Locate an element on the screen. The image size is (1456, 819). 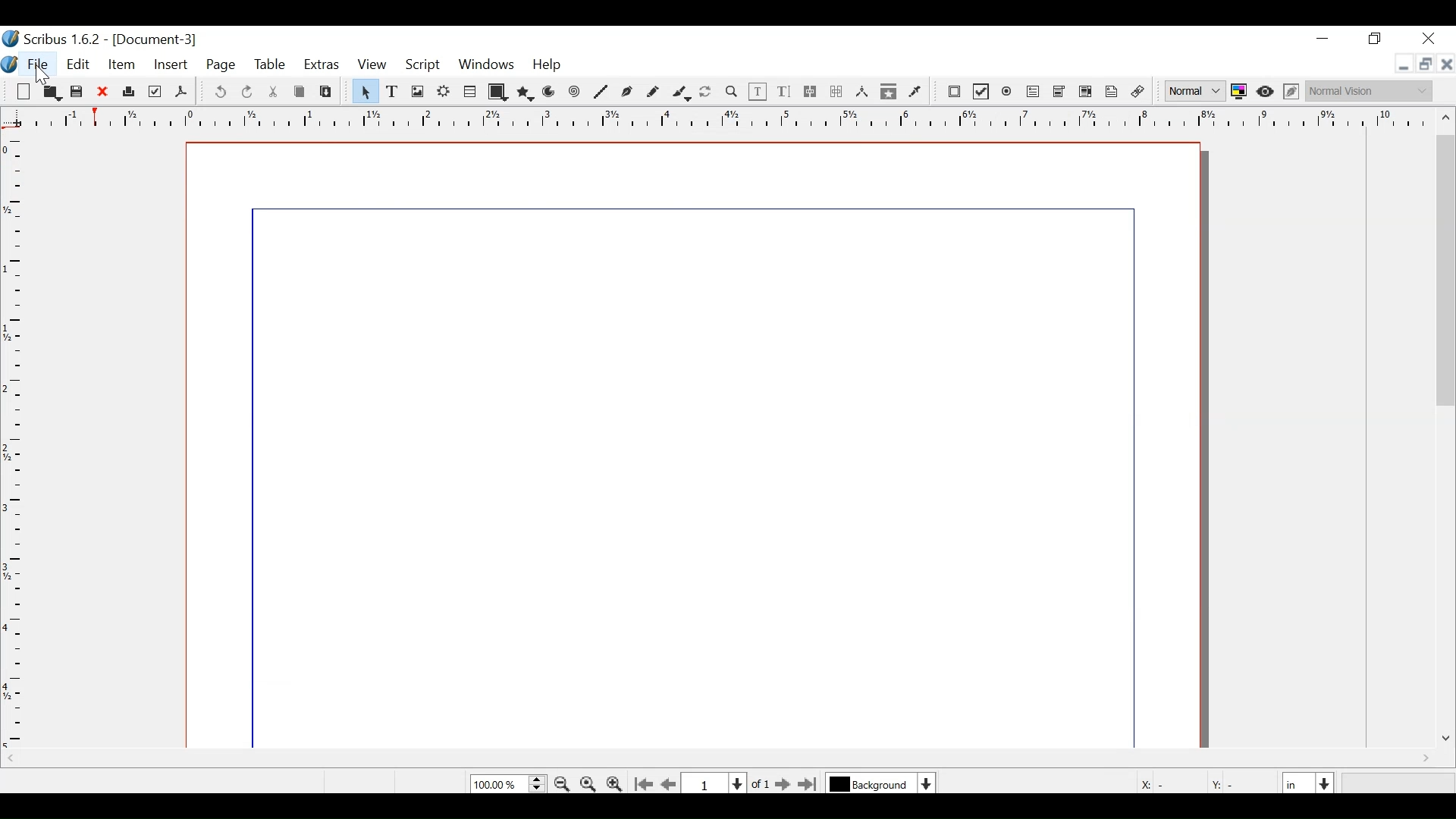
Close is located at coordinates (1434, 39).